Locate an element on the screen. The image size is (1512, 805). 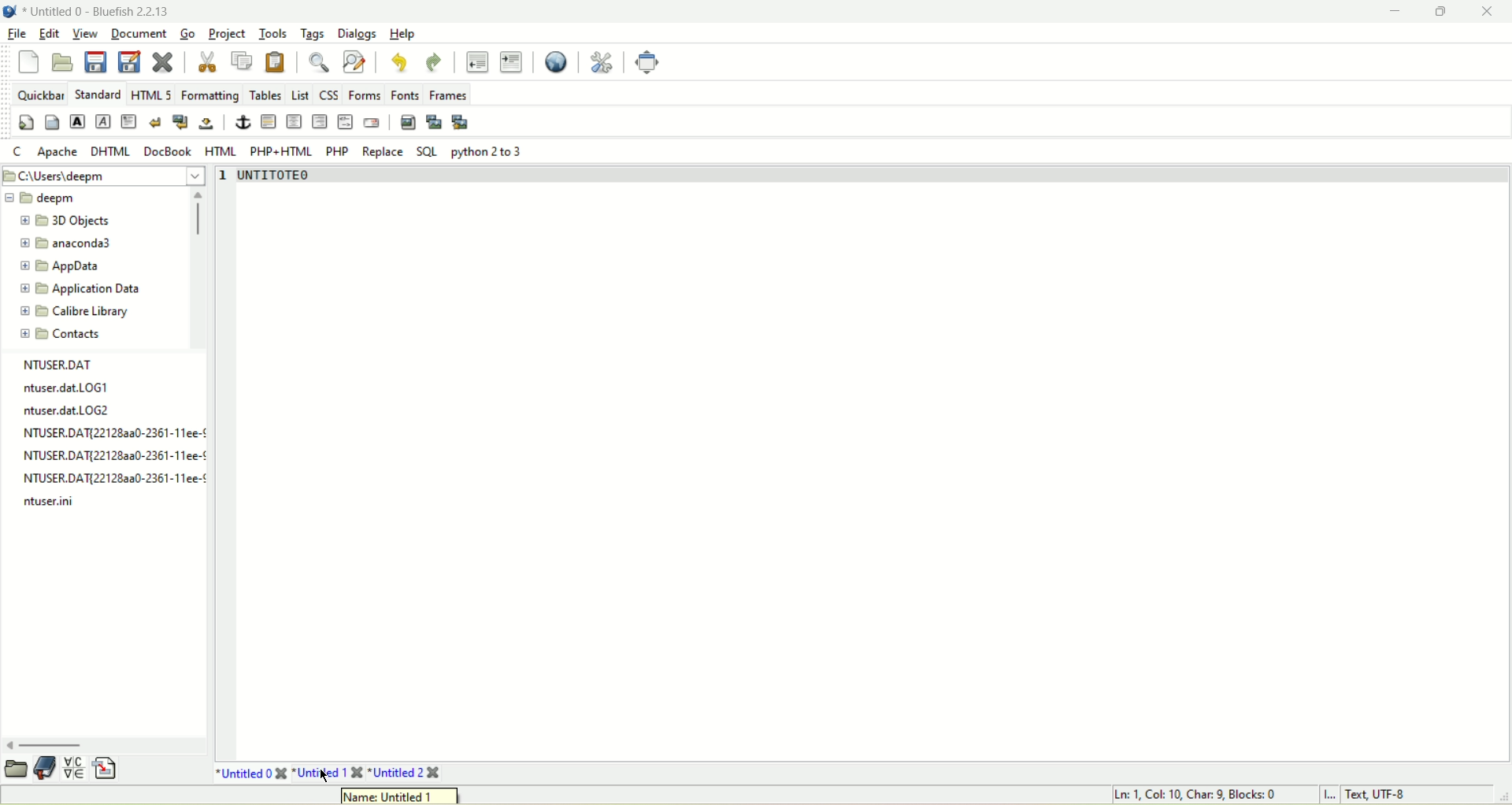
Cc is located at coordinates (17, 150).